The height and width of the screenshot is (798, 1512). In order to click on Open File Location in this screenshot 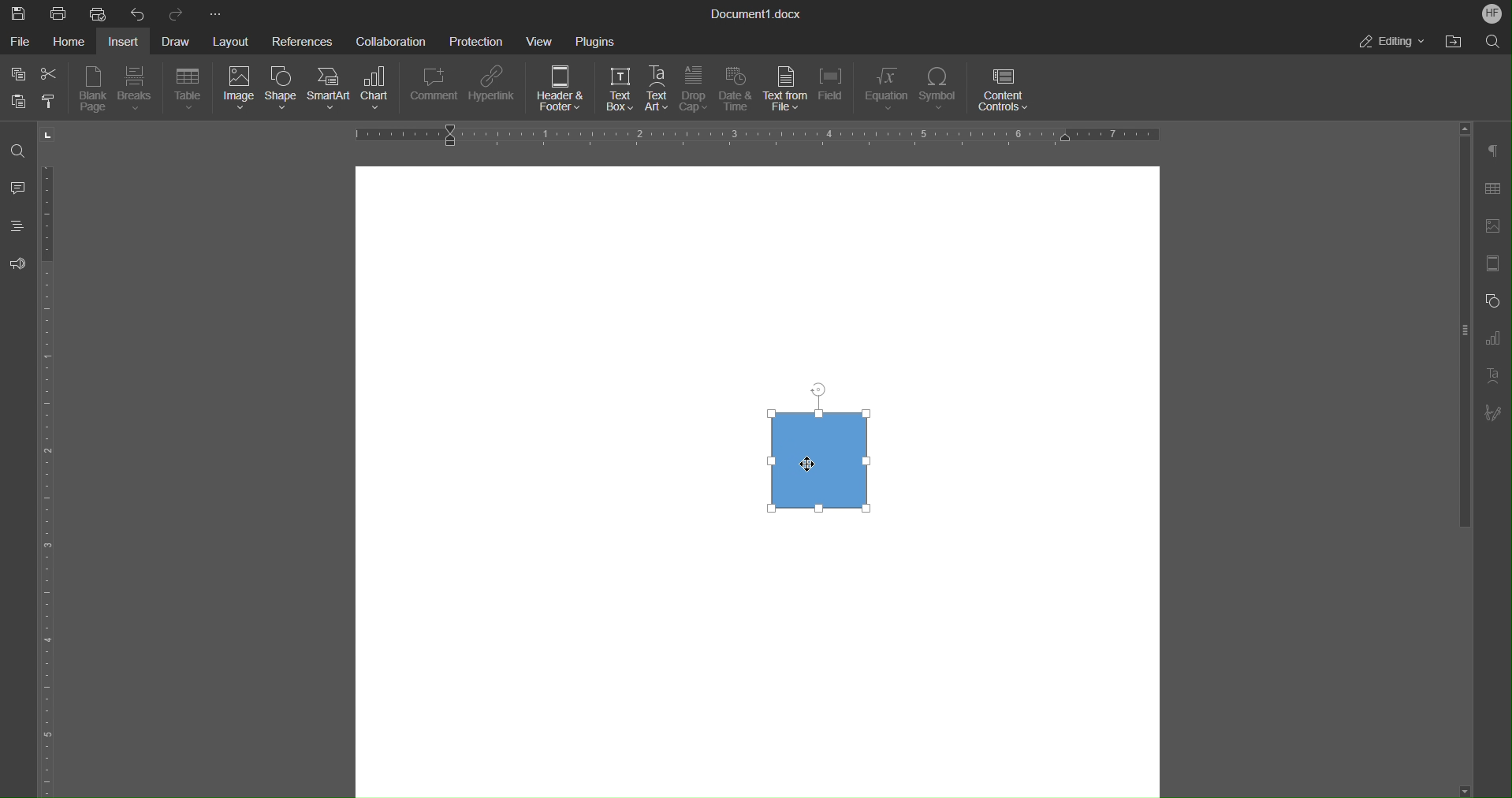, I will do `click(1453, 42)`.